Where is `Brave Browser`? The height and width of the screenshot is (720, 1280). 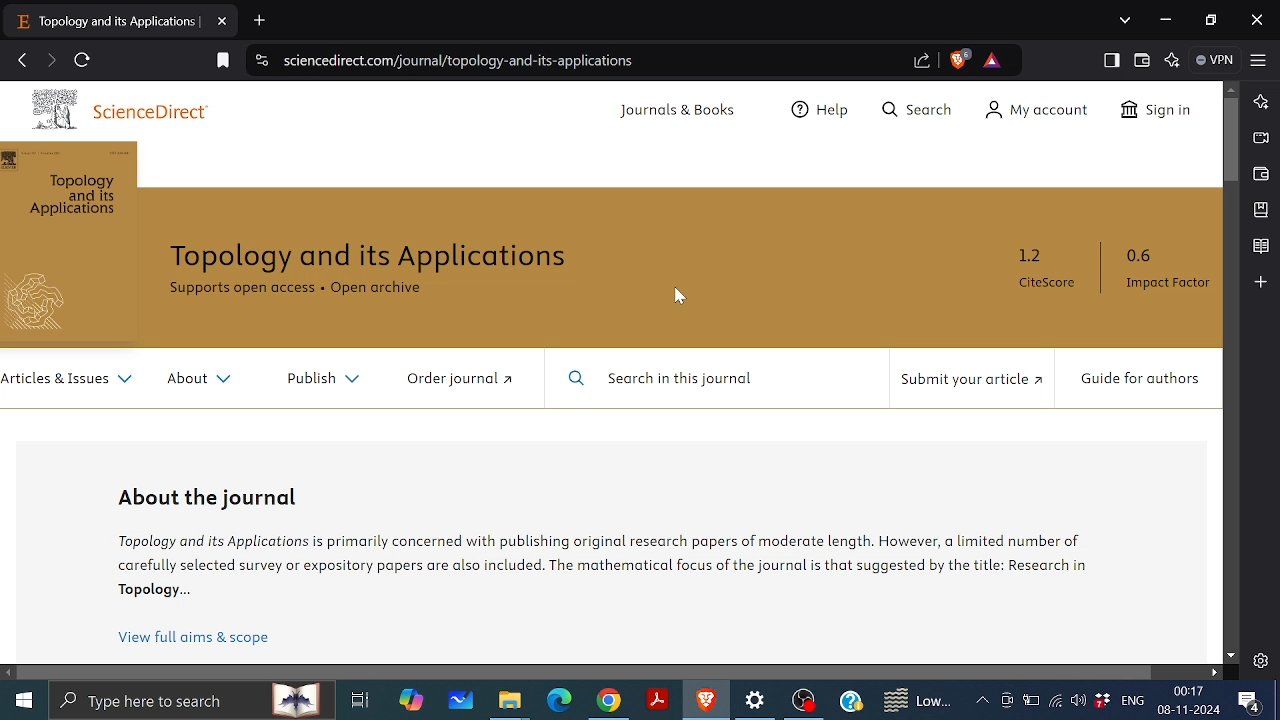
Brave Browser is located at coordinates (706, 701).